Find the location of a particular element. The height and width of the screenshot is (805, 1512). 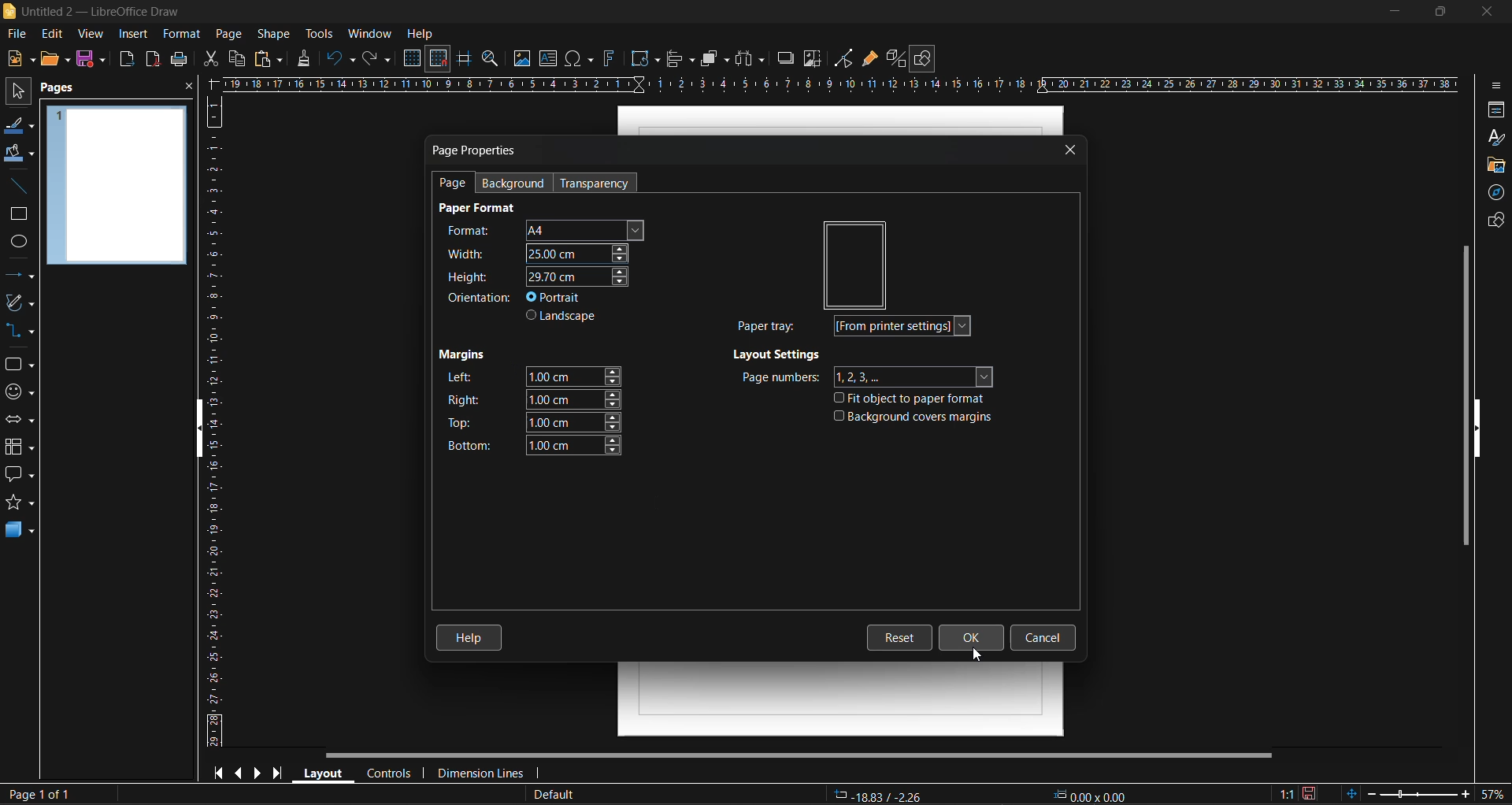

window is located at coordinates (373, 33).